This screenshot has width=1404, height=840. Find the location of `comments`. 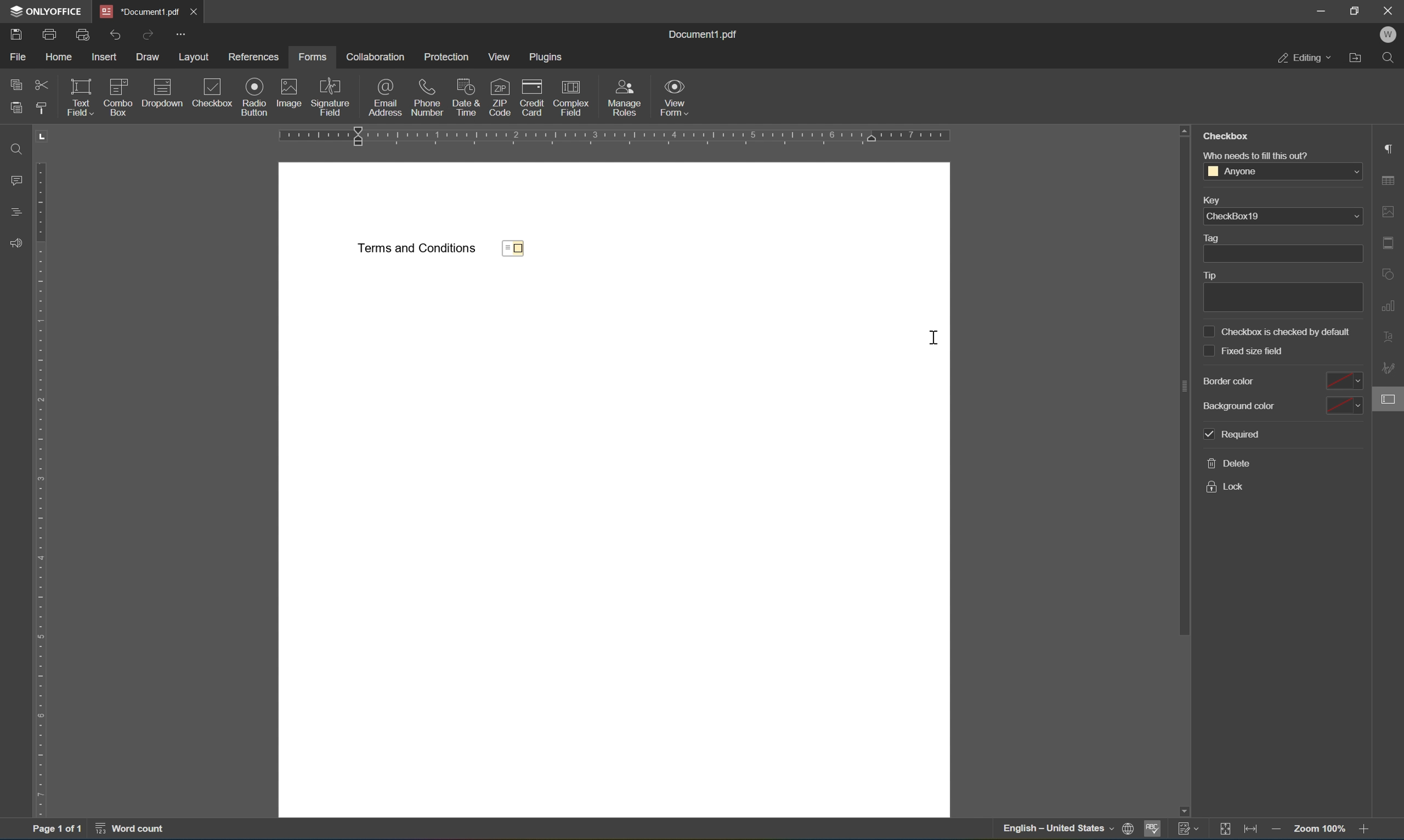

comments is located at coordinates (16, 179).